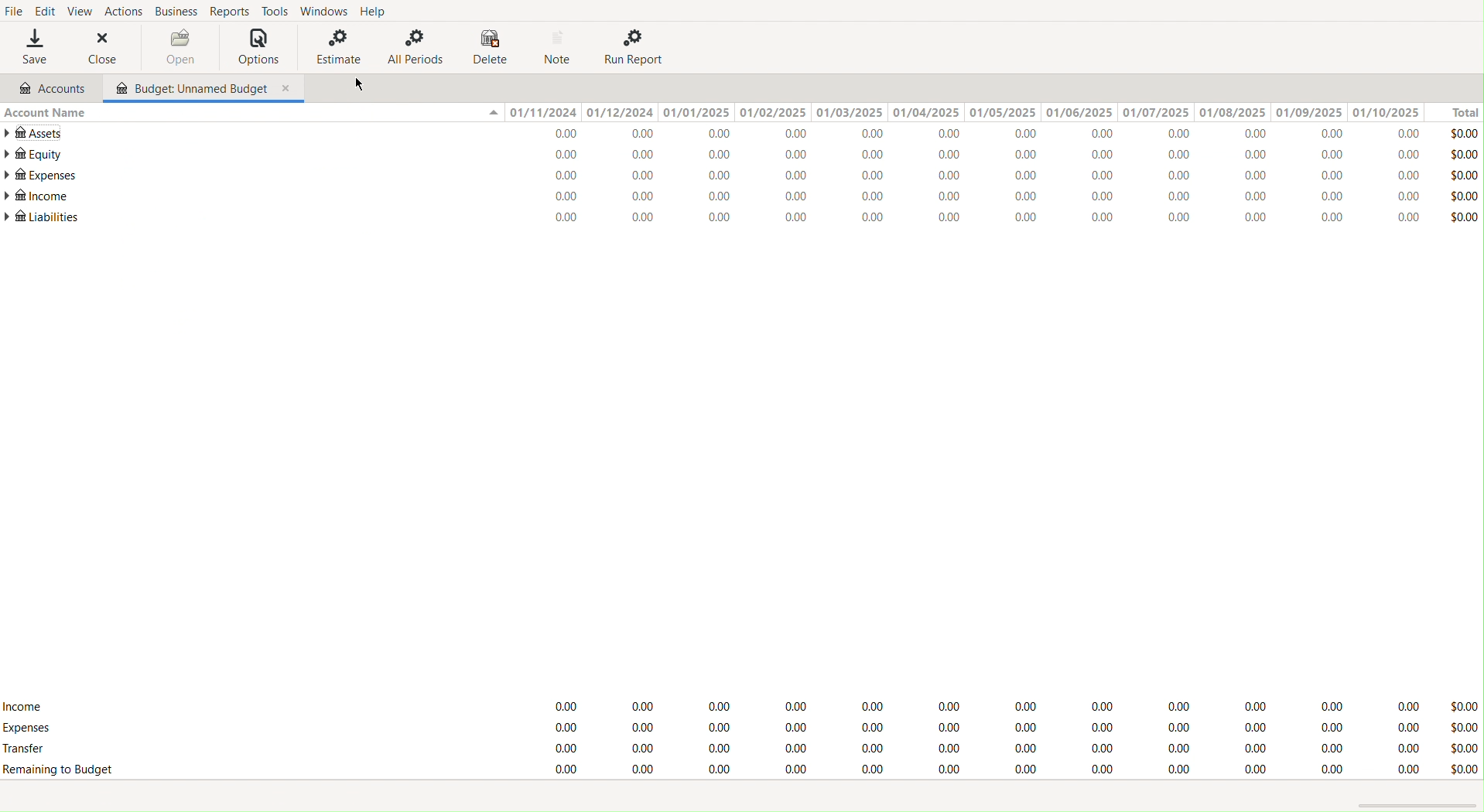  I want to click on Assets, so click(36, 131).